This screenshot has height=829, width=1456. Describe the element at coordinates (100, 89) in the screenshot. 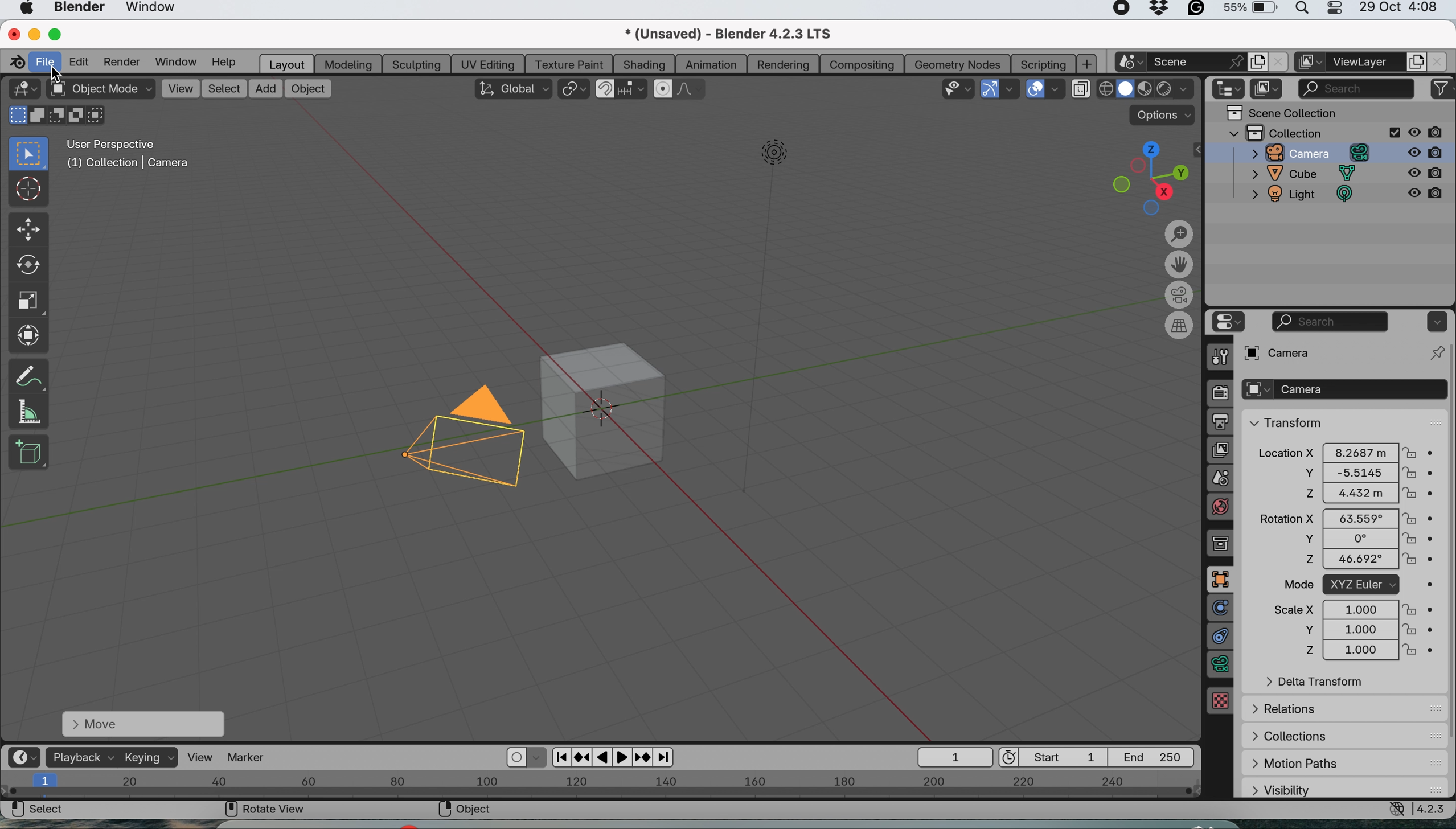

I see `object mode` at that location.